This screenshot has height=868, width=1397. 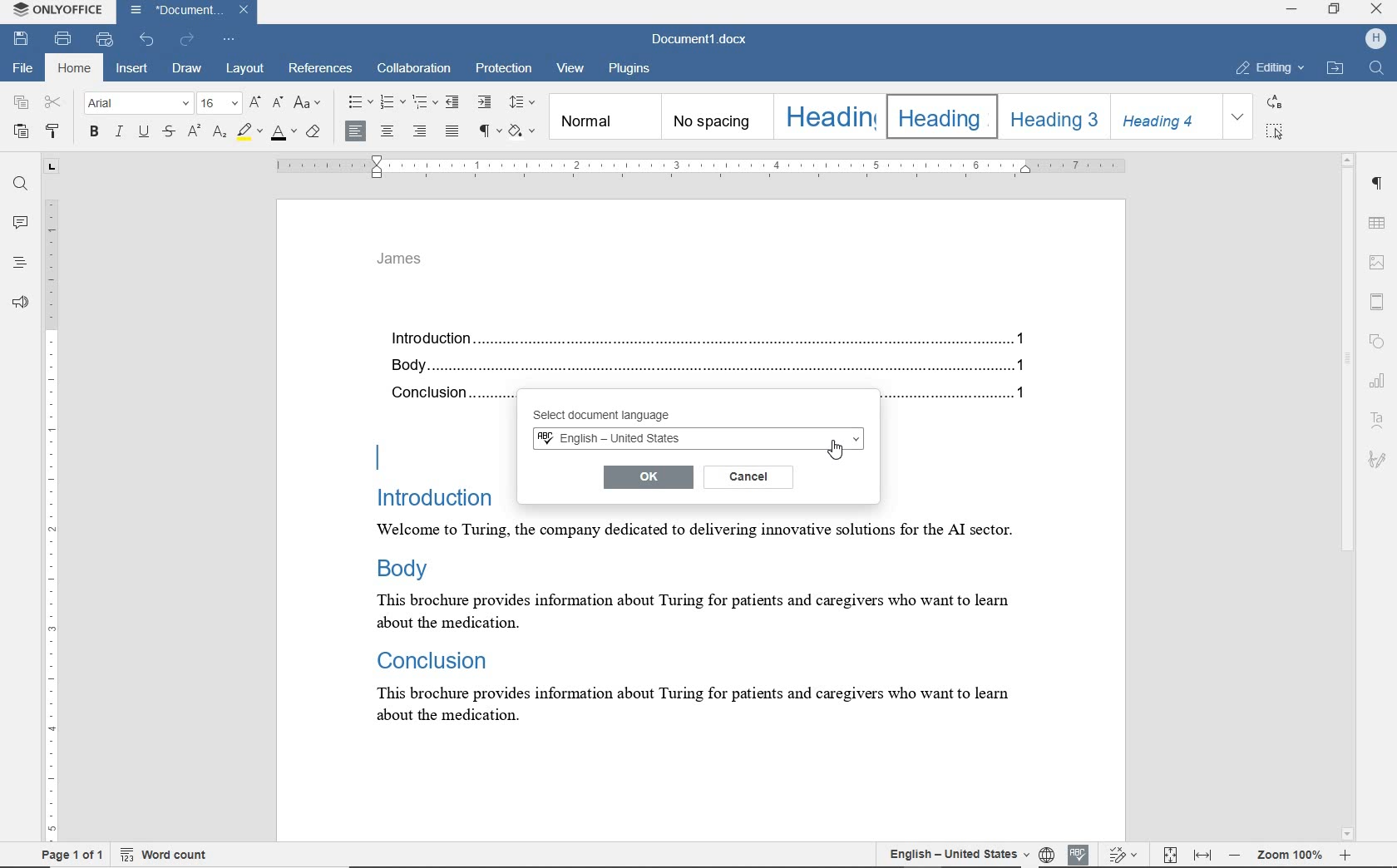 What do you see at coordinates (1376, 458) in the screenshot?
I see `signature` at bounding box center [1376, 458].